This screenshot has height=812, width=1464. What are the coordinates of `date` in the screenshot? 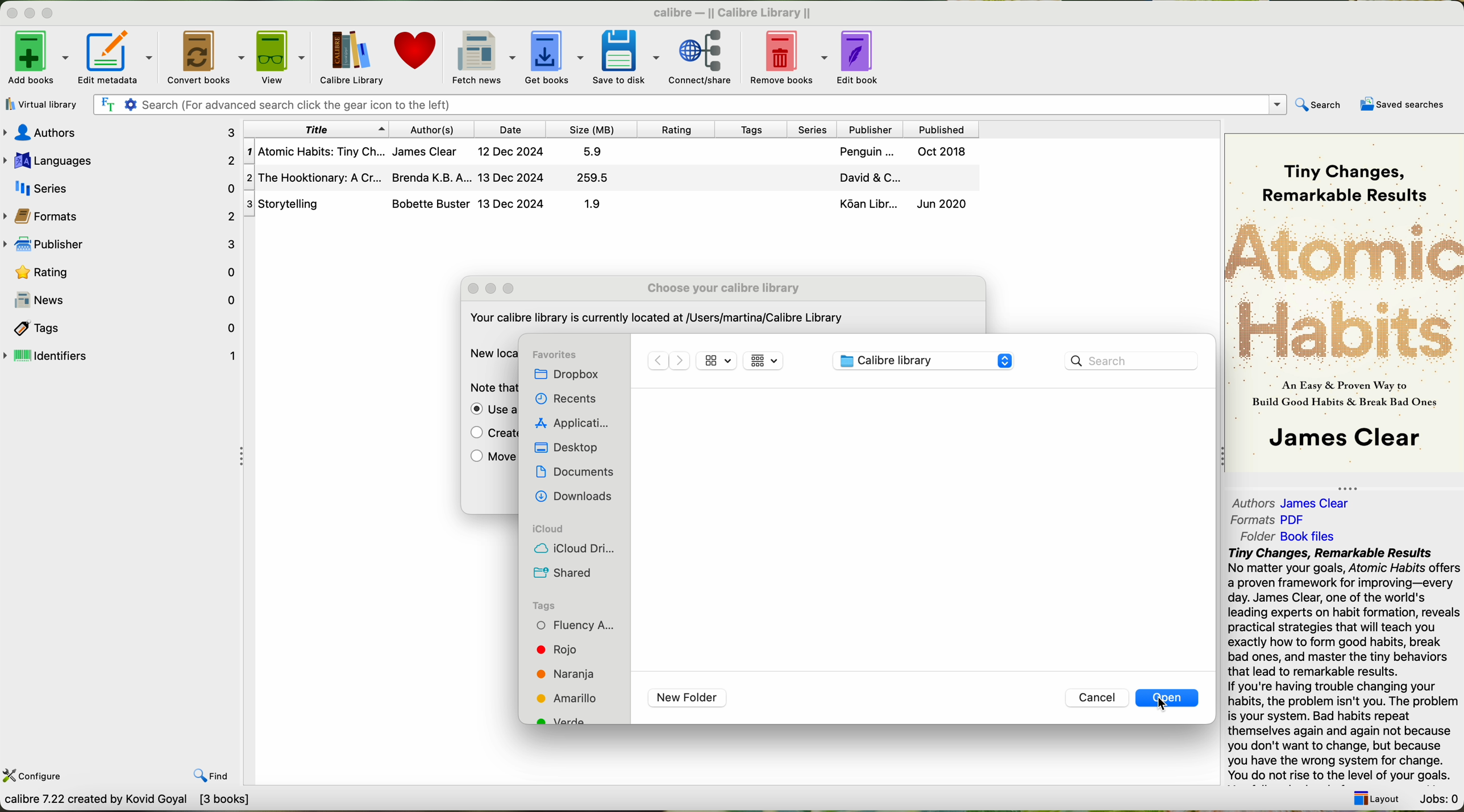 It's located at (513, 129).